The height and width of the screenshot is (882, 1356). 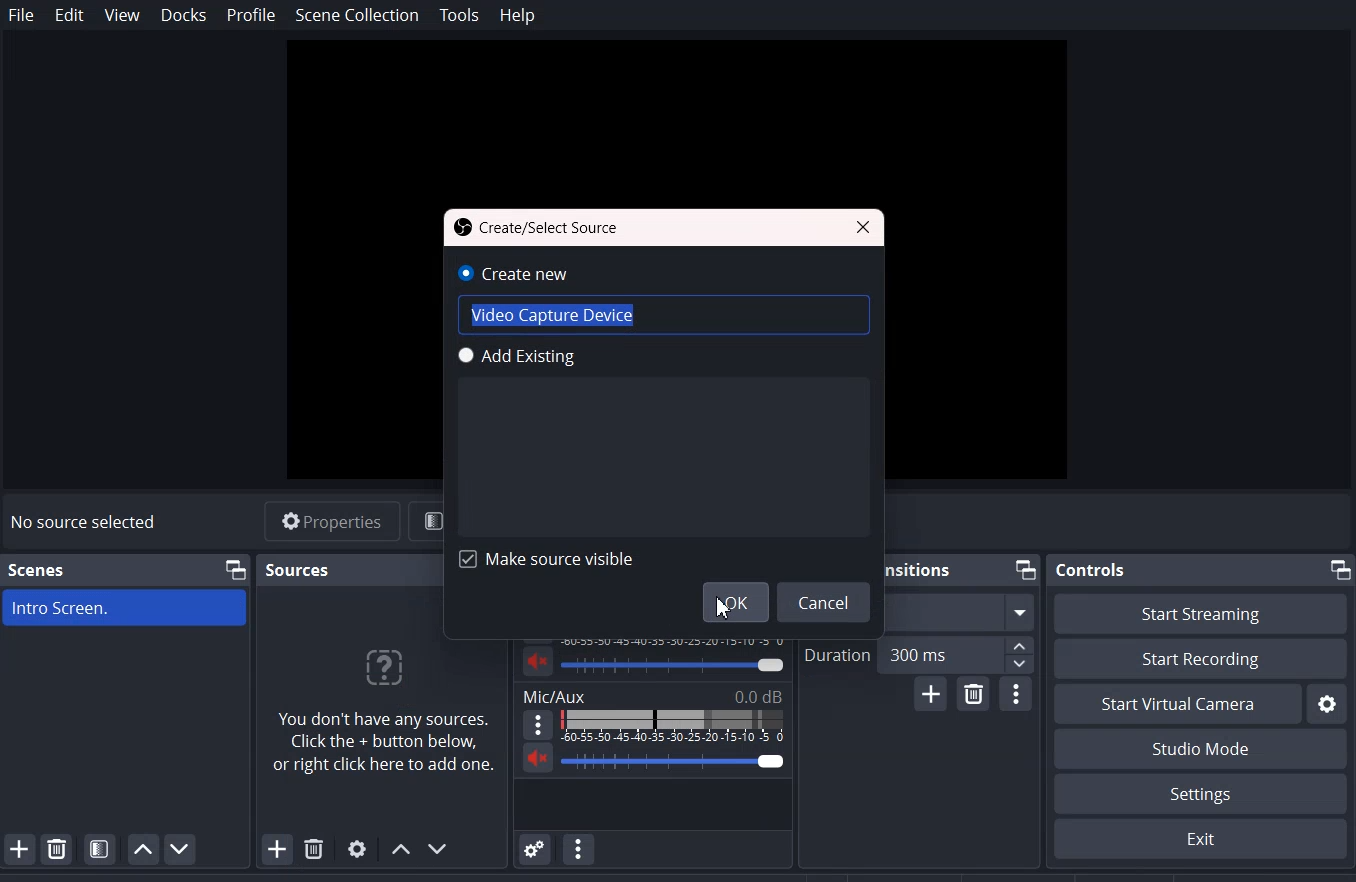 I want to click on Help, so click(x=516, y=16).